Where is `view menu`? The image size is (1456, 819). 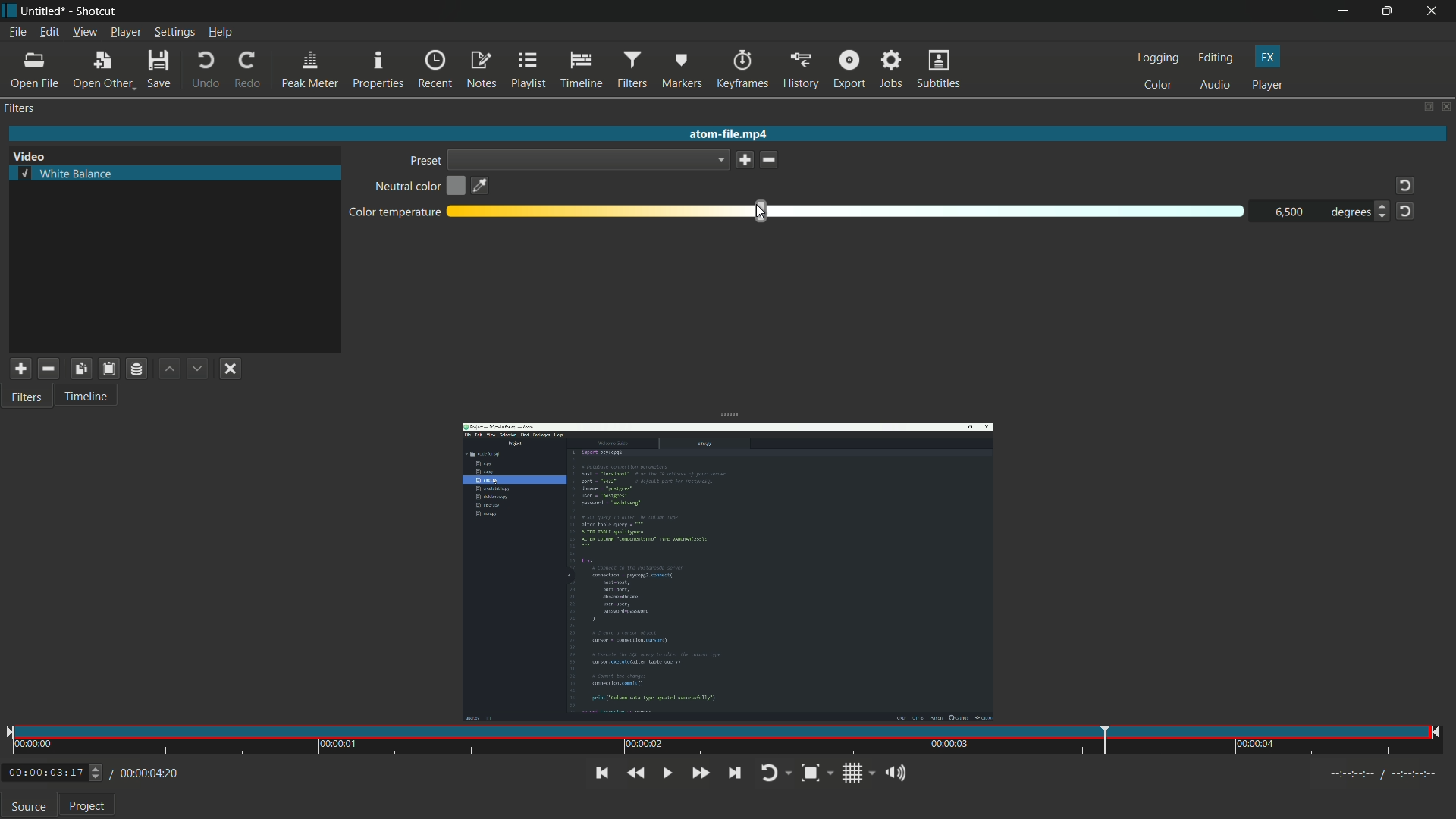
view menu is located at coordinates (84, 32).